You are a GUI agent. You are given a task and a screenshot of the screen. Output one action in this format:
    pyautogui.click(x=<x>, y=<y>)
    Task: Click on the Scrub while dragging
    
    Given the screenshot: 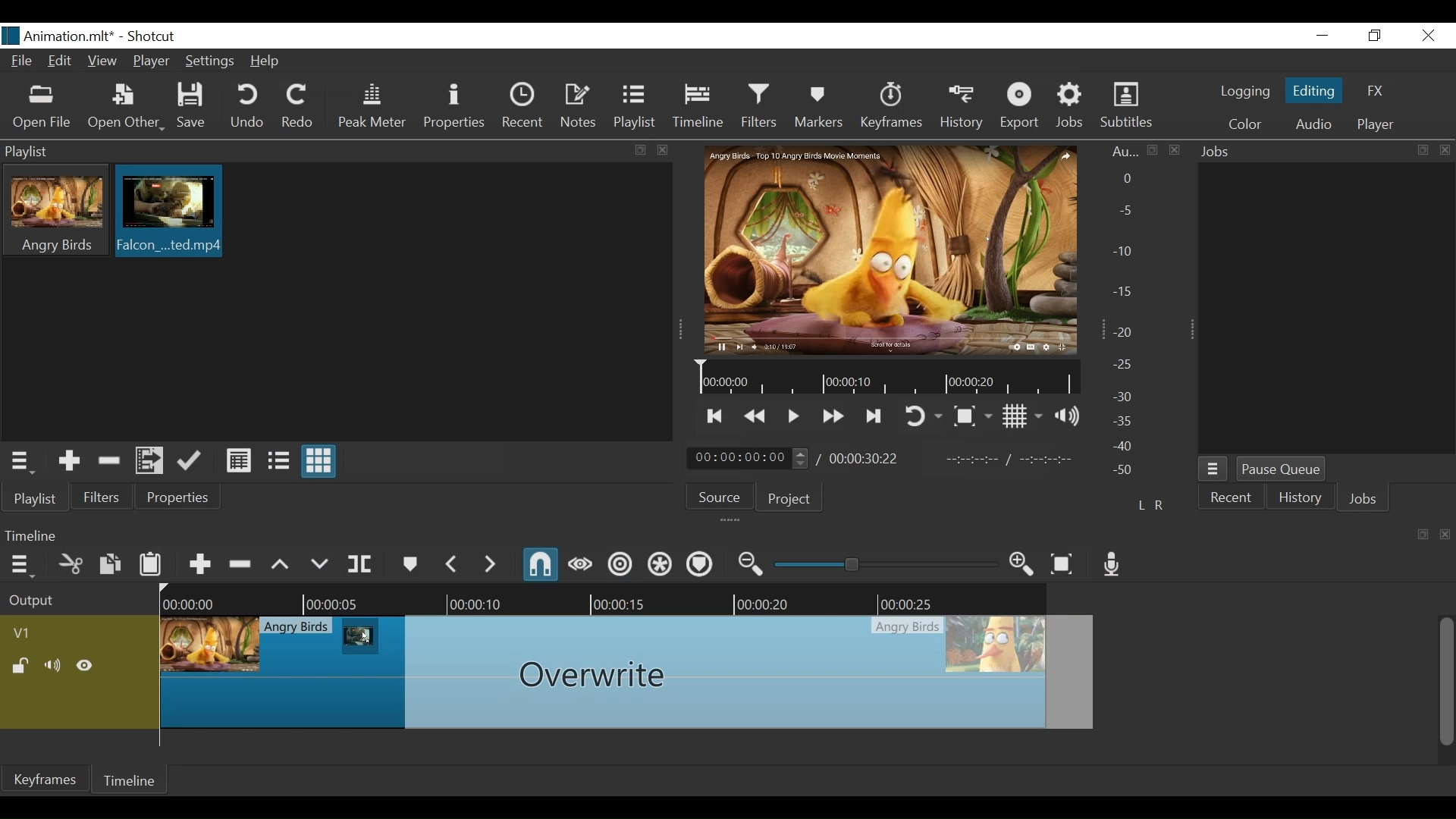 What is the action you would take?
    pyautogui.click(x=580, y=565)
    